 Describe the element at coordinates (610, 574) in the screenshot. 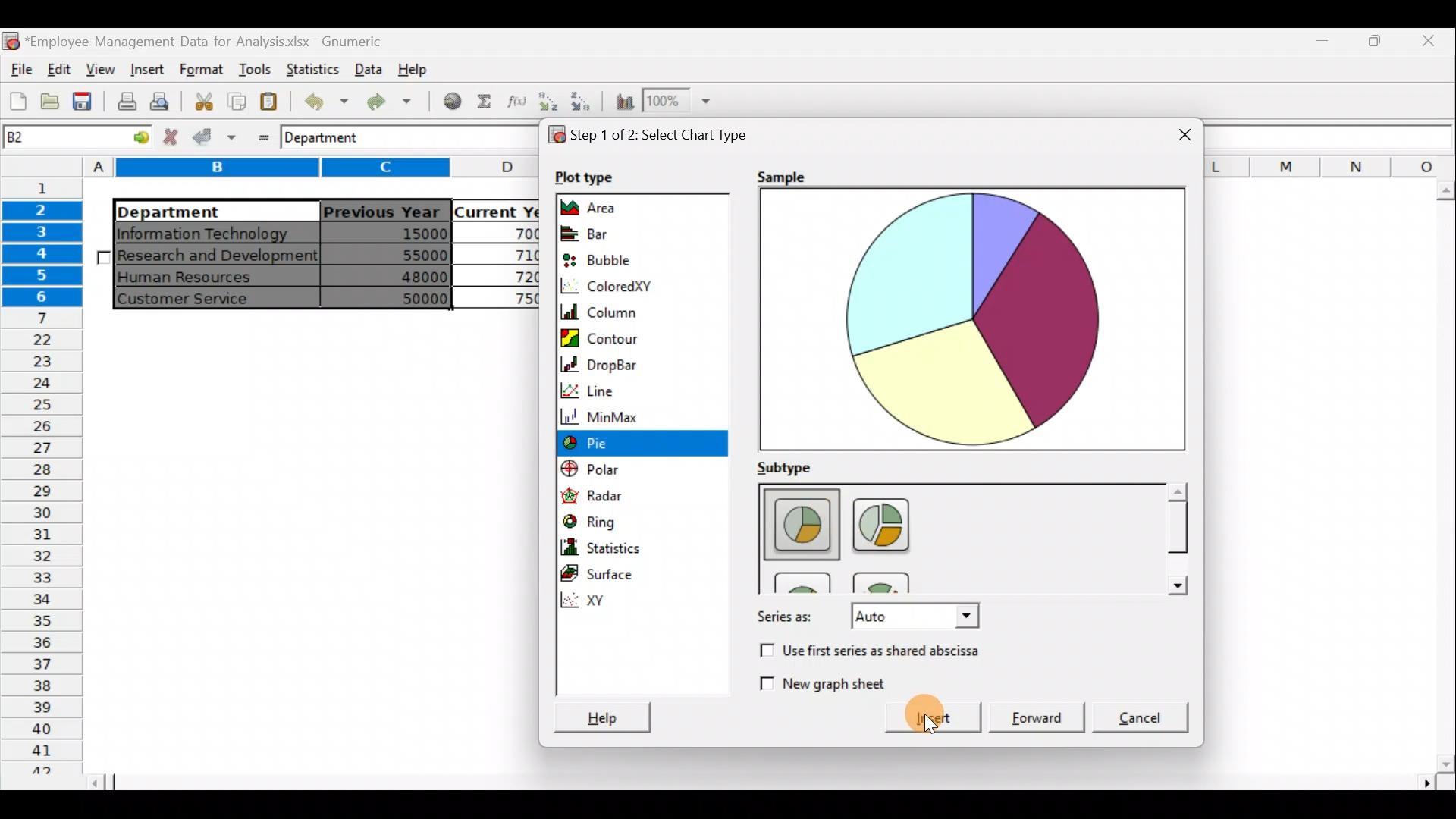

I see `Surface` at that location.